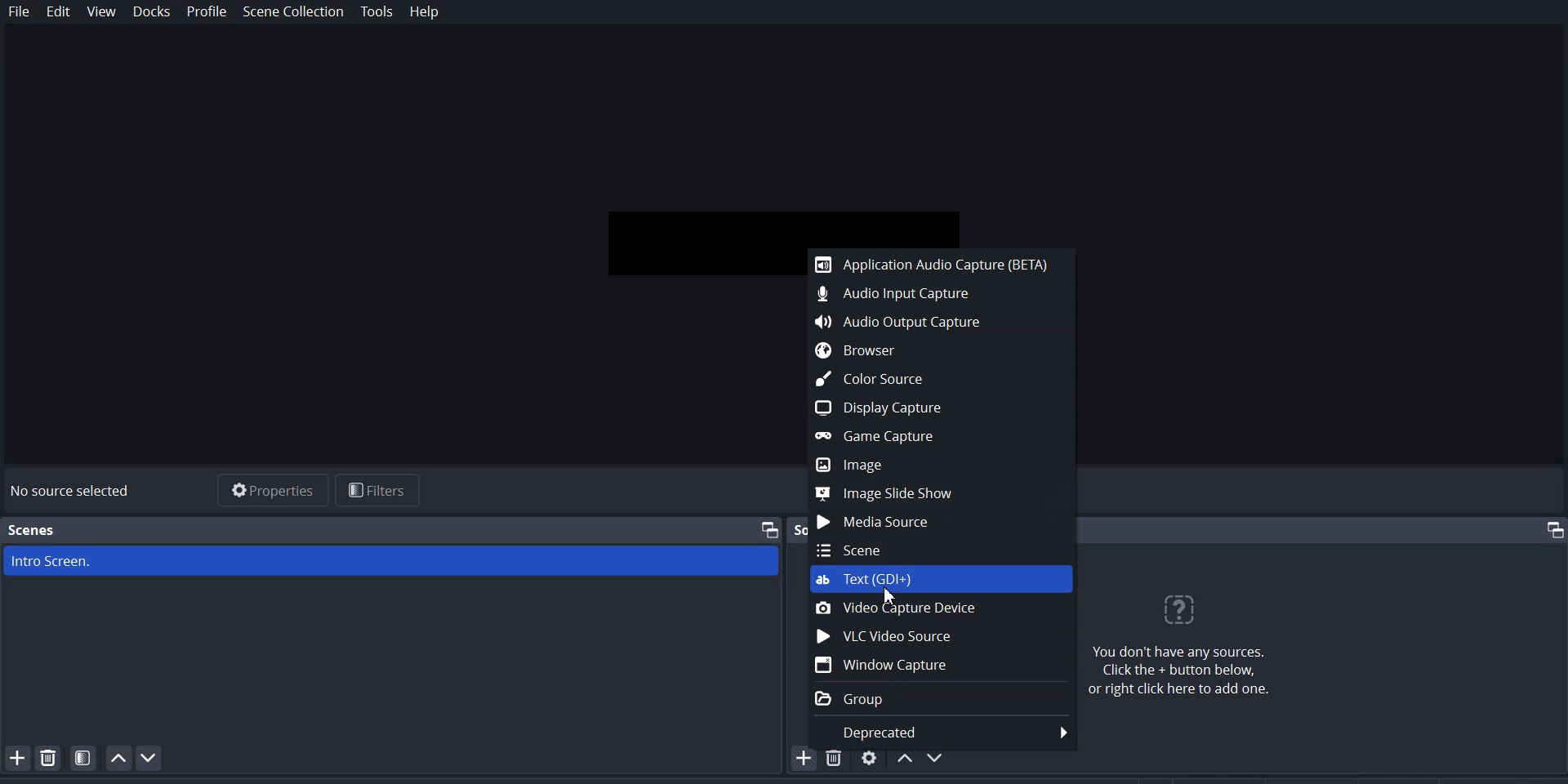 The image size is (1568, 784). What do you see at coordinates (933, 350) in the screenshot?
I see `Browser` at bounding box center [933, 350].